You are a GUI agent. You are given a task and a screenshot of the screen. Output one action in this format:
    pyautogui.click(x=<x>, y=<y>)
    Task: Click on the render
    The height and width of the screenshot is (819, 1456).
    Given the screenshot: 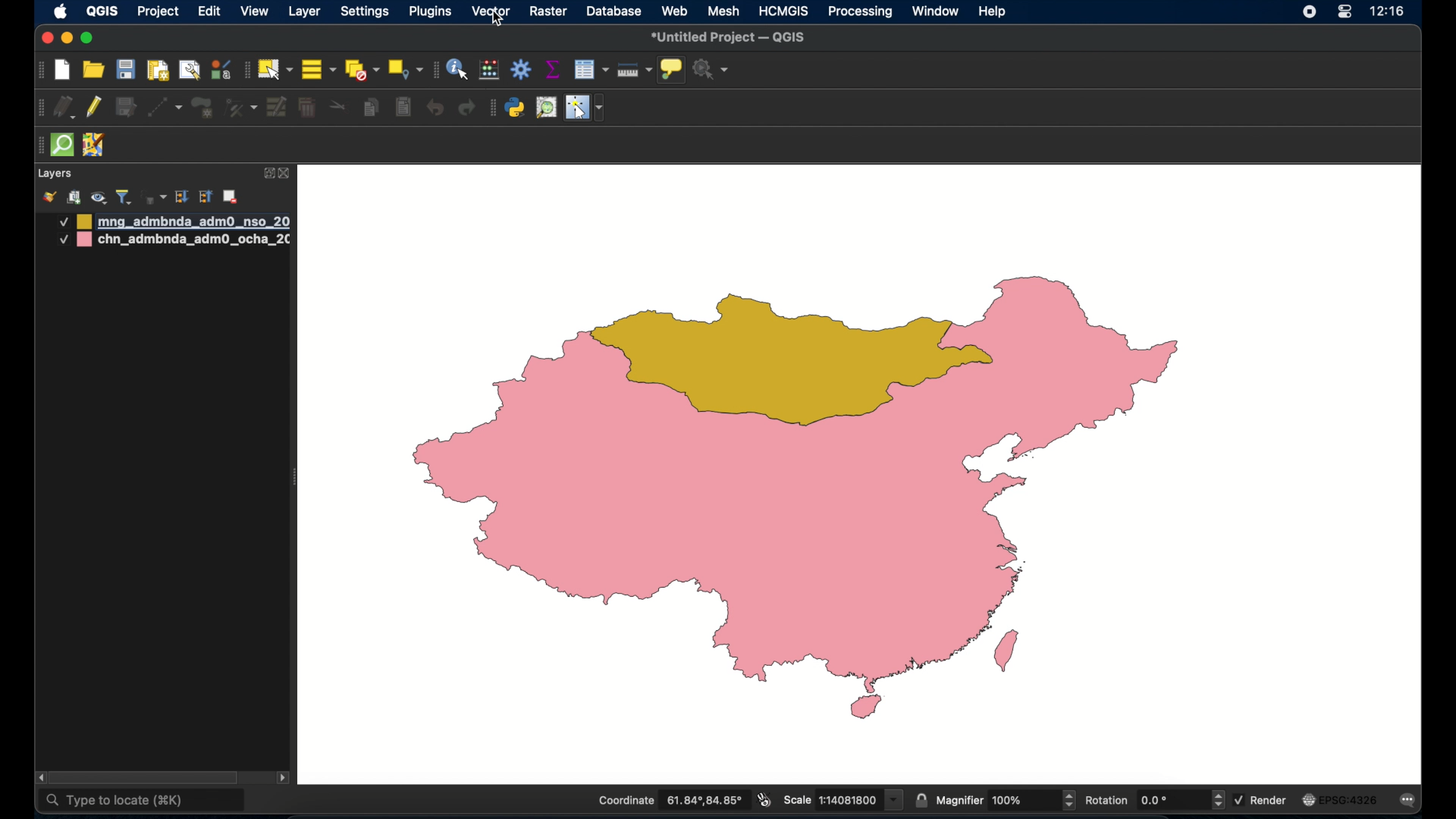 What is the action you would take?
    pyautogui.click(x=1262, y=799)
    